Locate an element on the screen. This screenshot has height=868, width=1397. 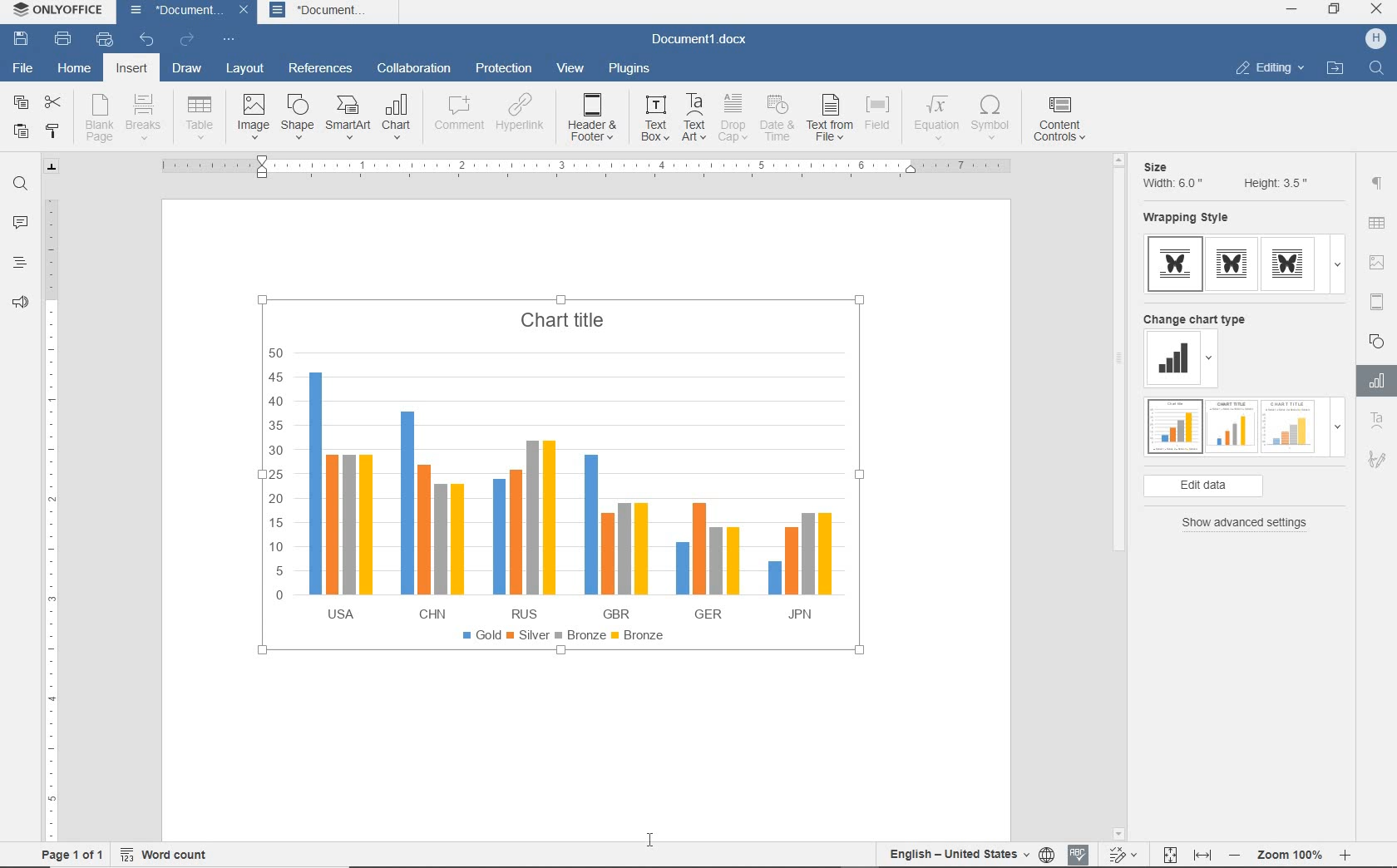
change chart type is located at coordinates (1197, 318).